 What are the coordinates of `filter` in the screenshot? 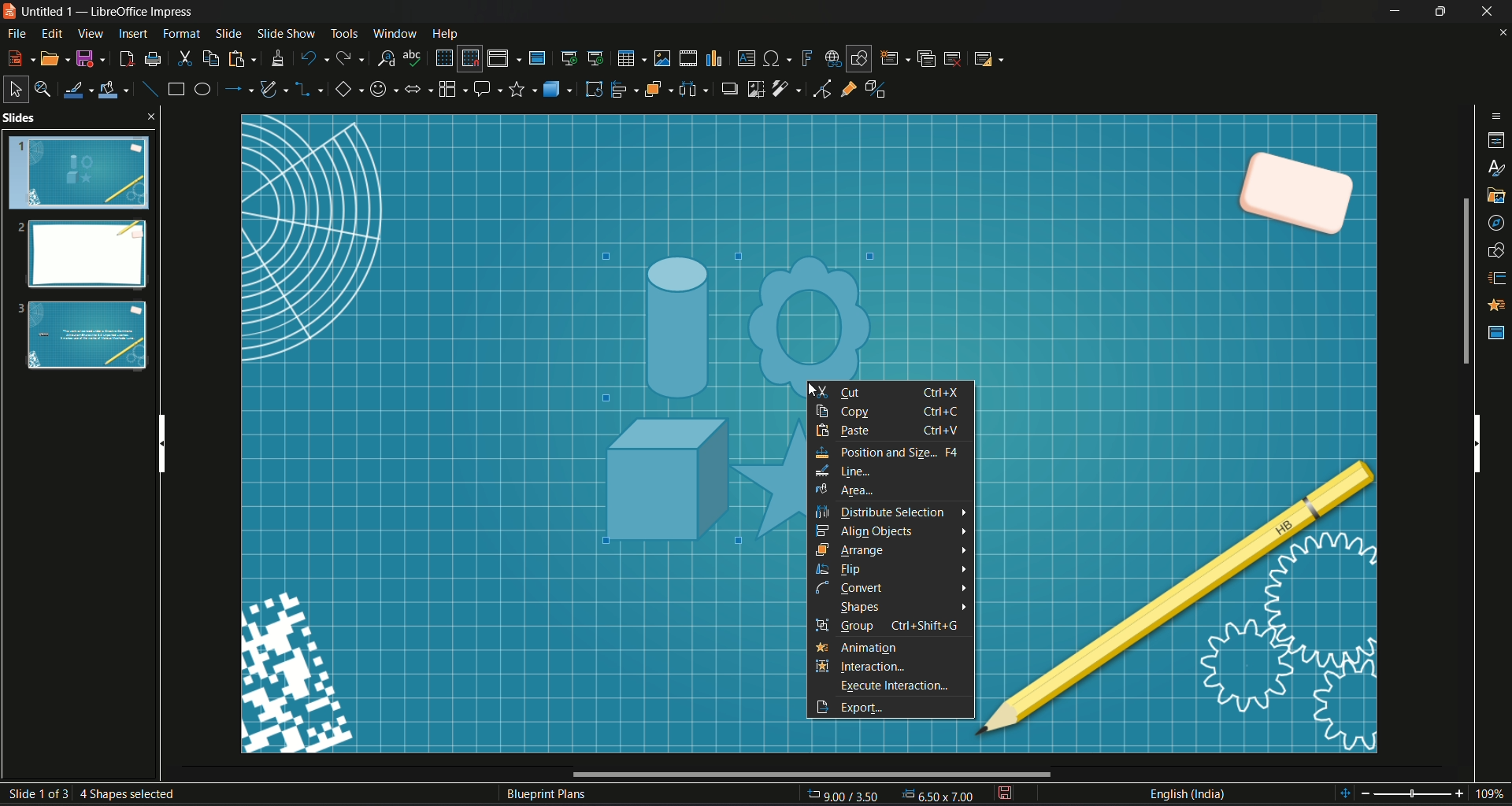 It's located at (787, 89).